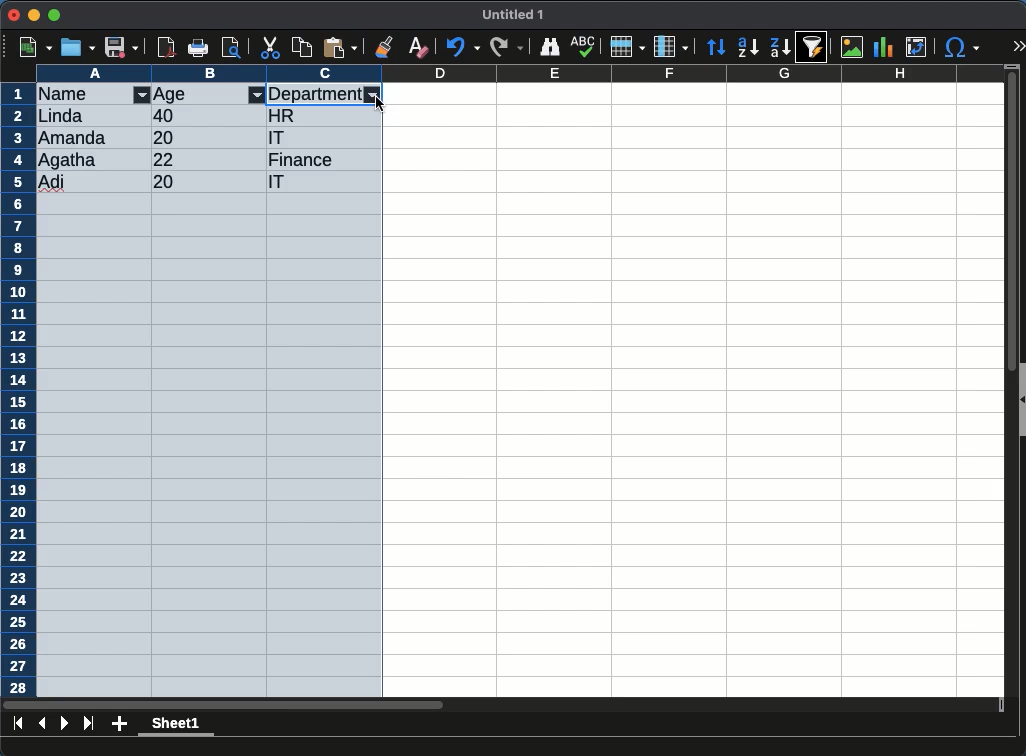 The width and height of the screenshot is (1026, 756). I want to click on columns, so click(520, 73).